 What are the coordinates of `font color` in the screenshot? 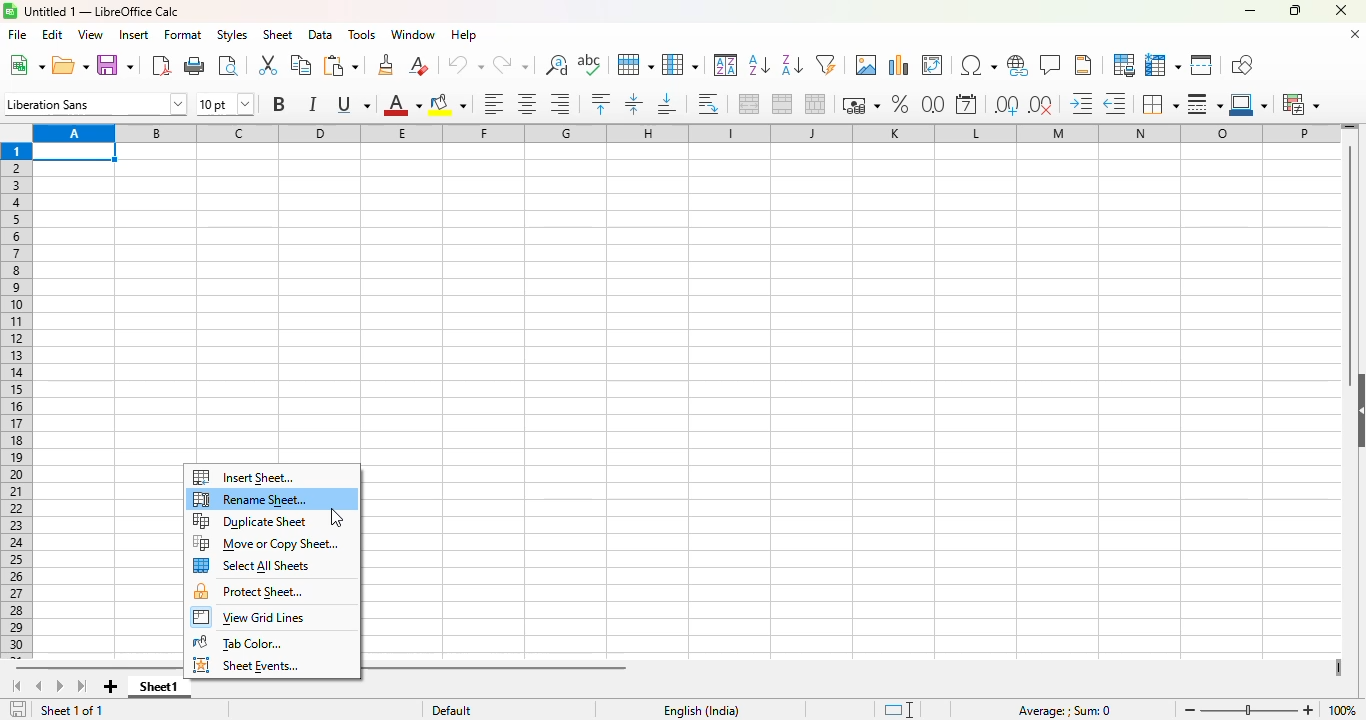 It's located at (401, 104).